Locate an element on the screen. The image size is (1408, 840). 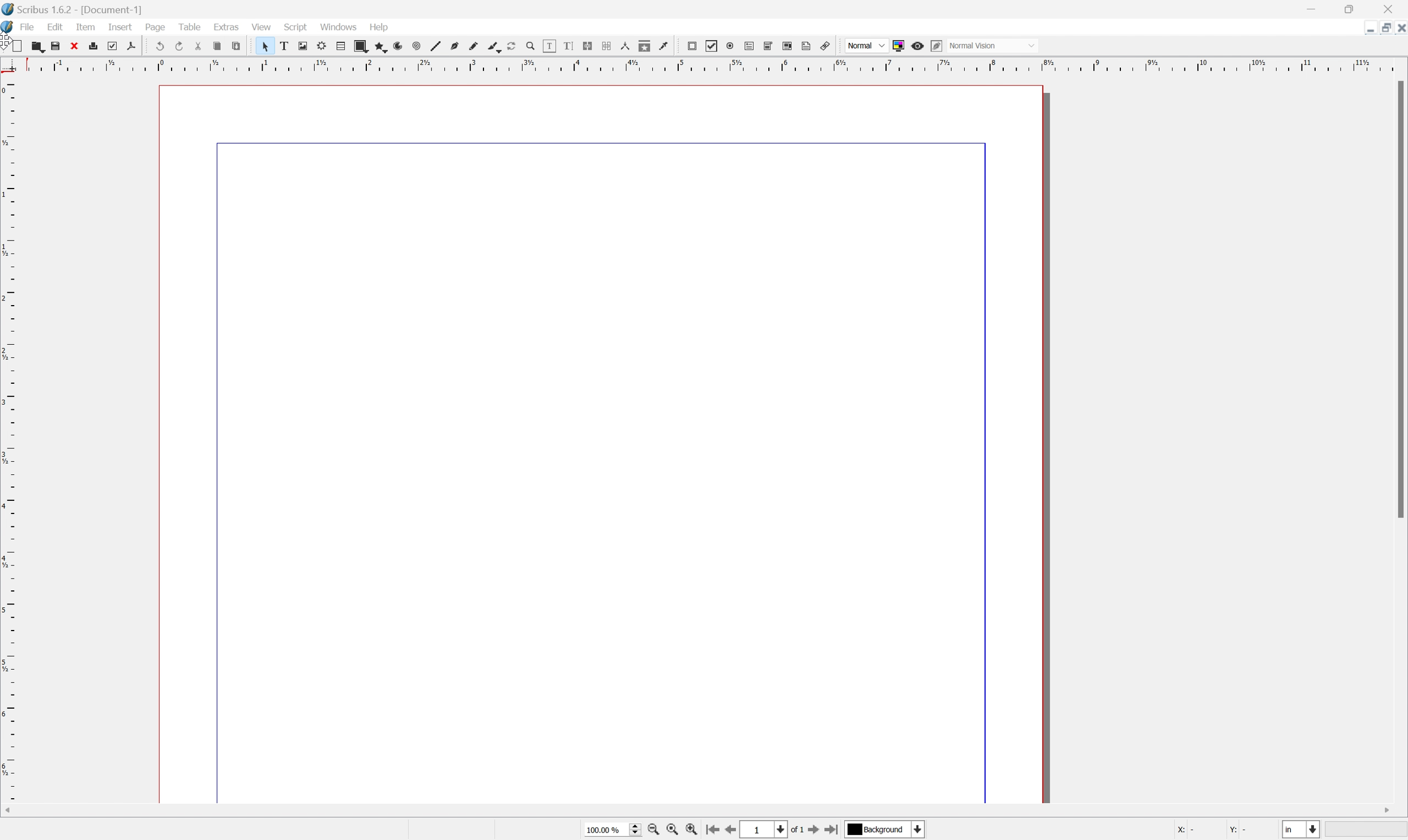
zoom out is located at coordinates (654, 832).